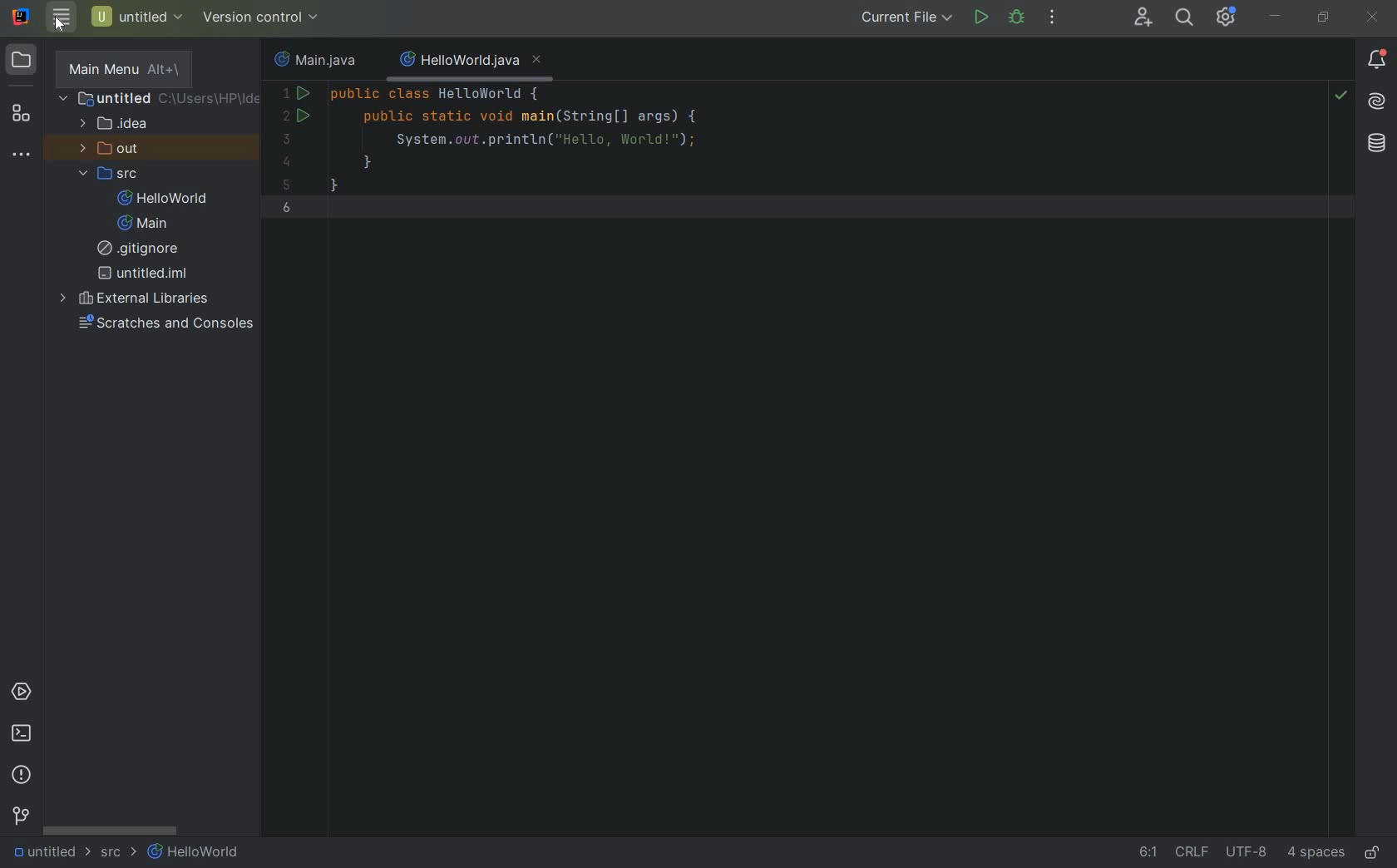  I want to click on RUN, so click(979, 18).